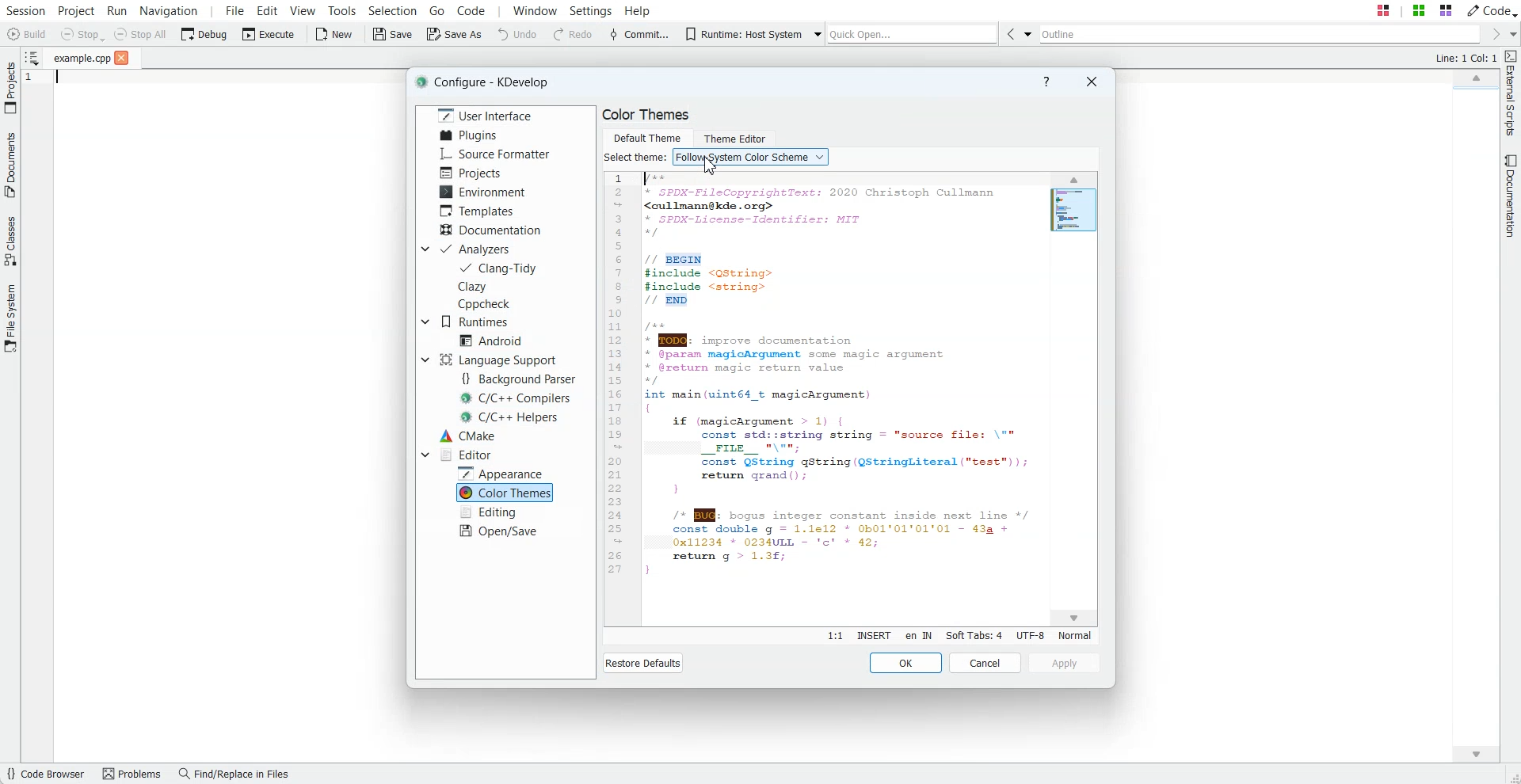 This screenshot has width=1521, height=784. Describe the element at coordinates (873, 636) in the screenshot. I see `Insert` at that location.